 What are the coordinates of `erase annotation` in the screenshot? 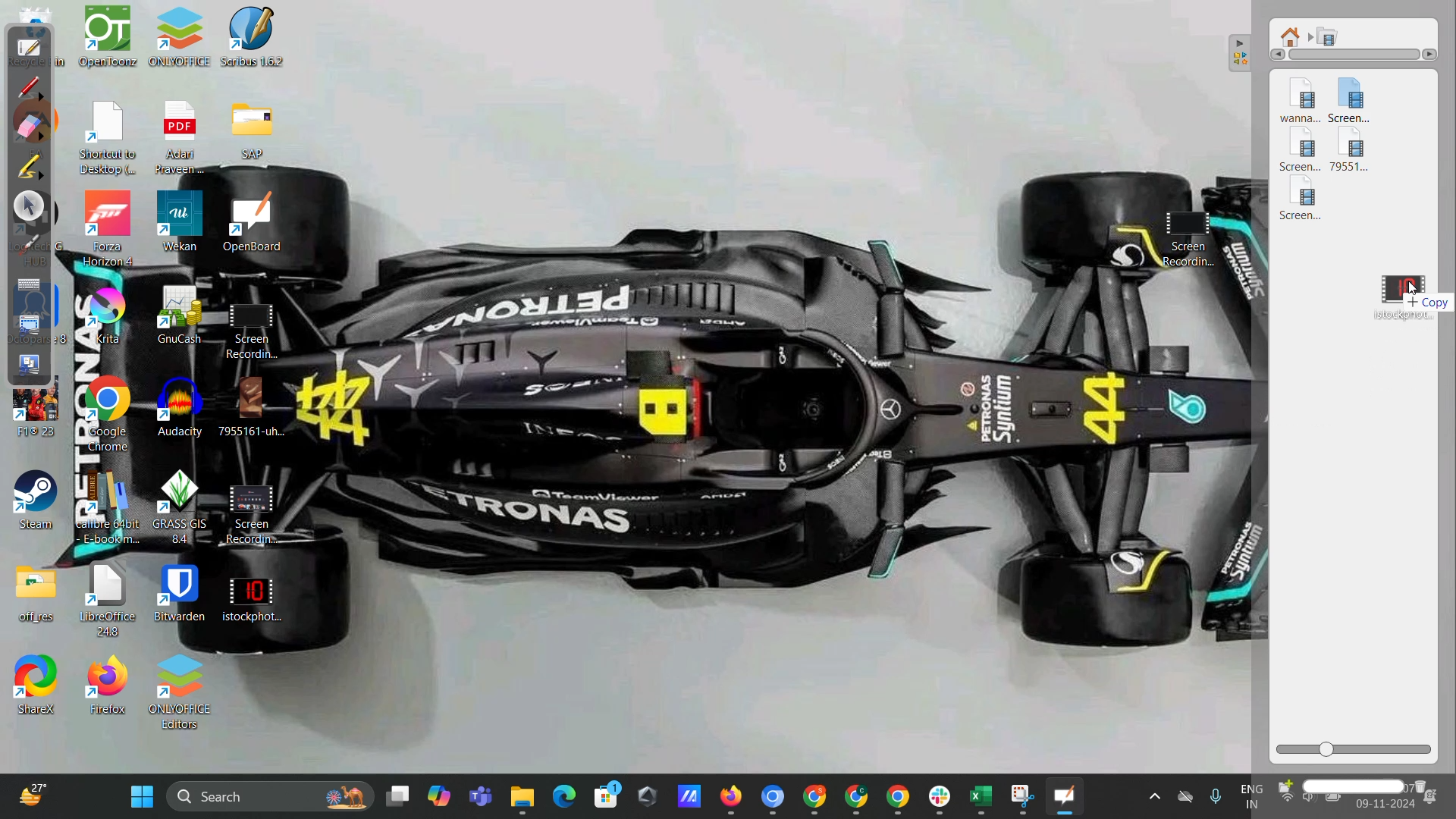 It's located at (36, 127).